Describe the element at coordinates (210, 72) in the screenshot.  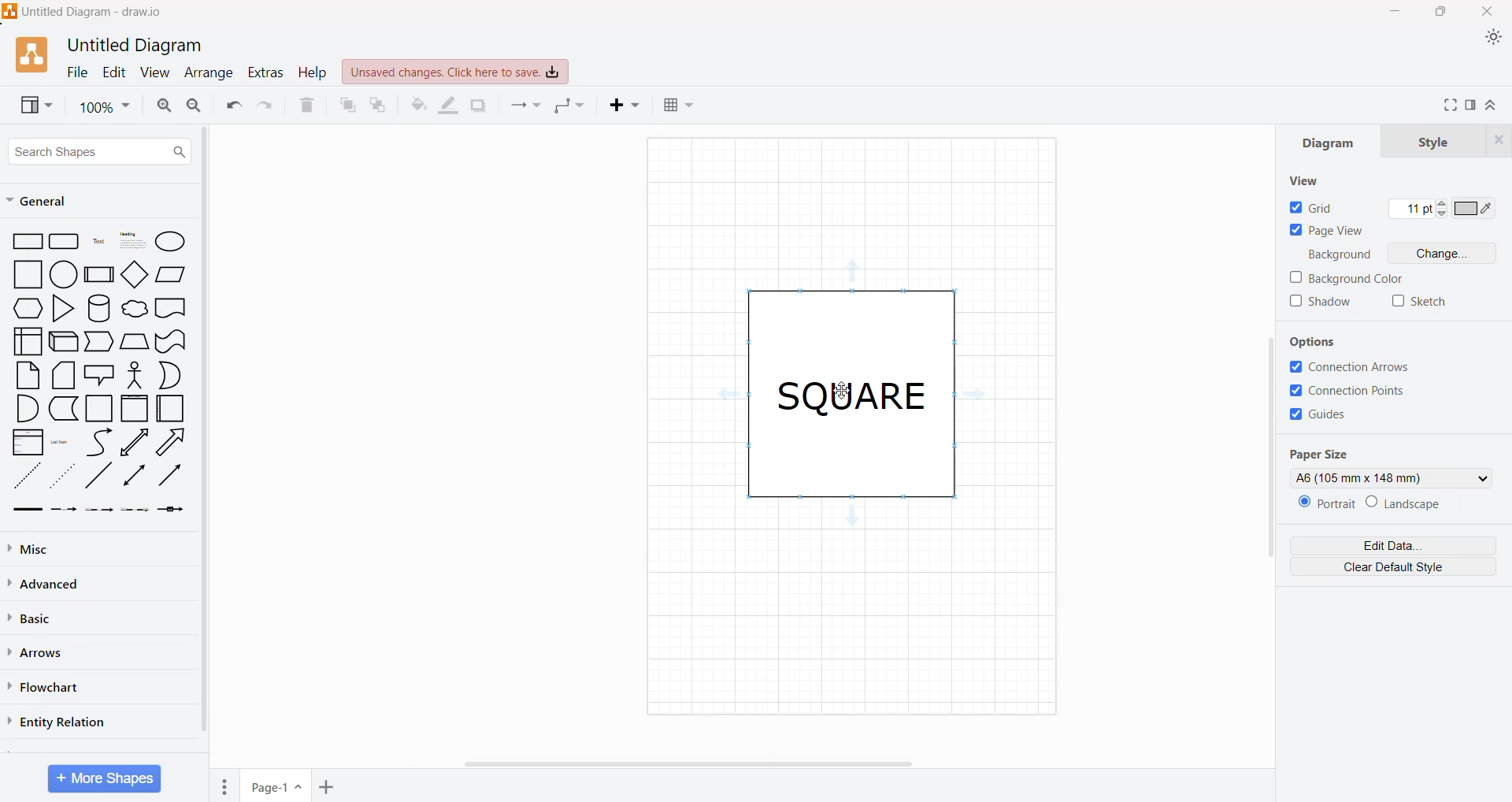
I see `Arrange` at that location.